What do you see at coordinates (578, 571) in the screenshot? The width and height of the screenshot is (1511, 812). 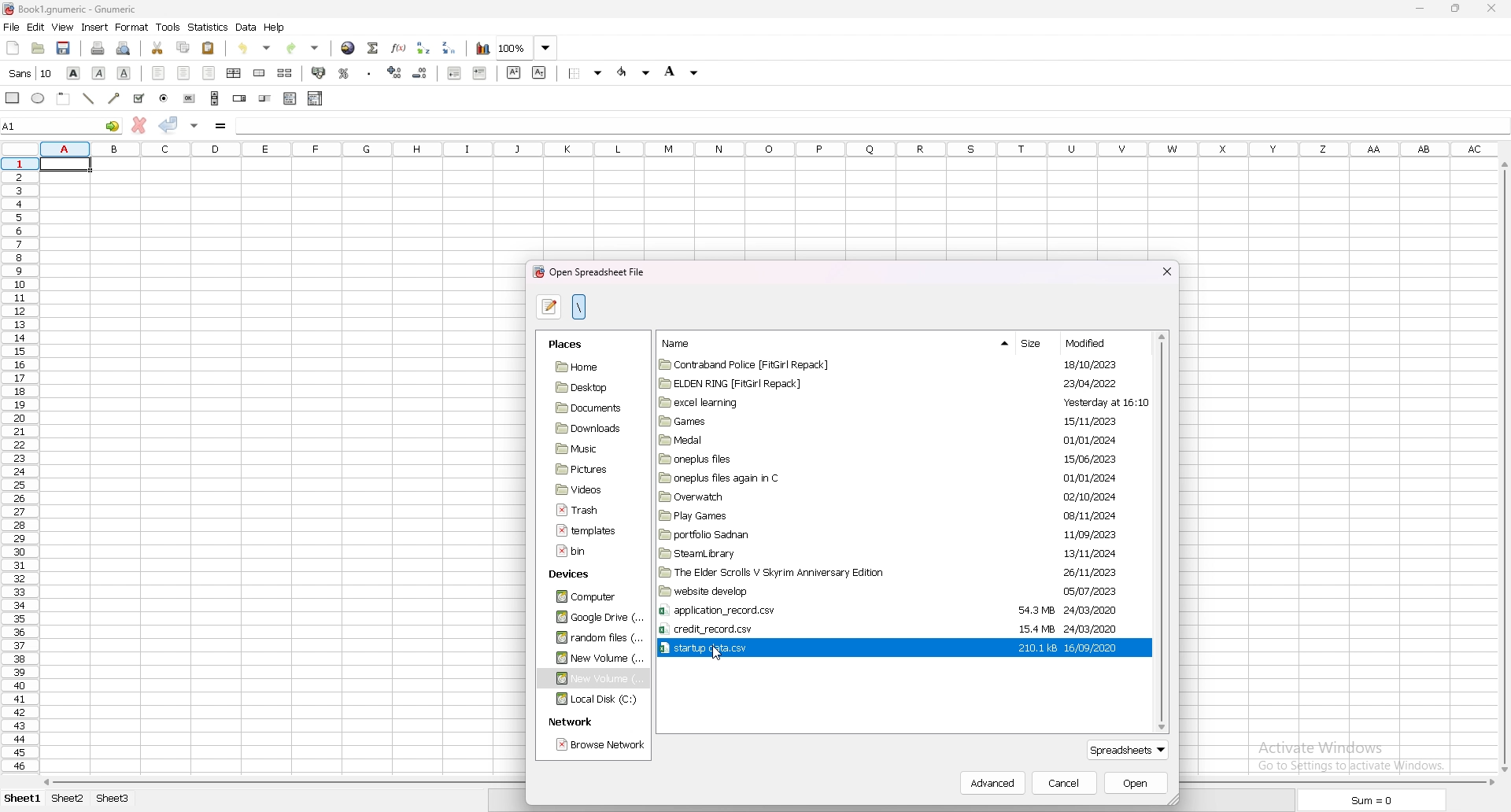 I see `devices` at bounding box center [578, 571].